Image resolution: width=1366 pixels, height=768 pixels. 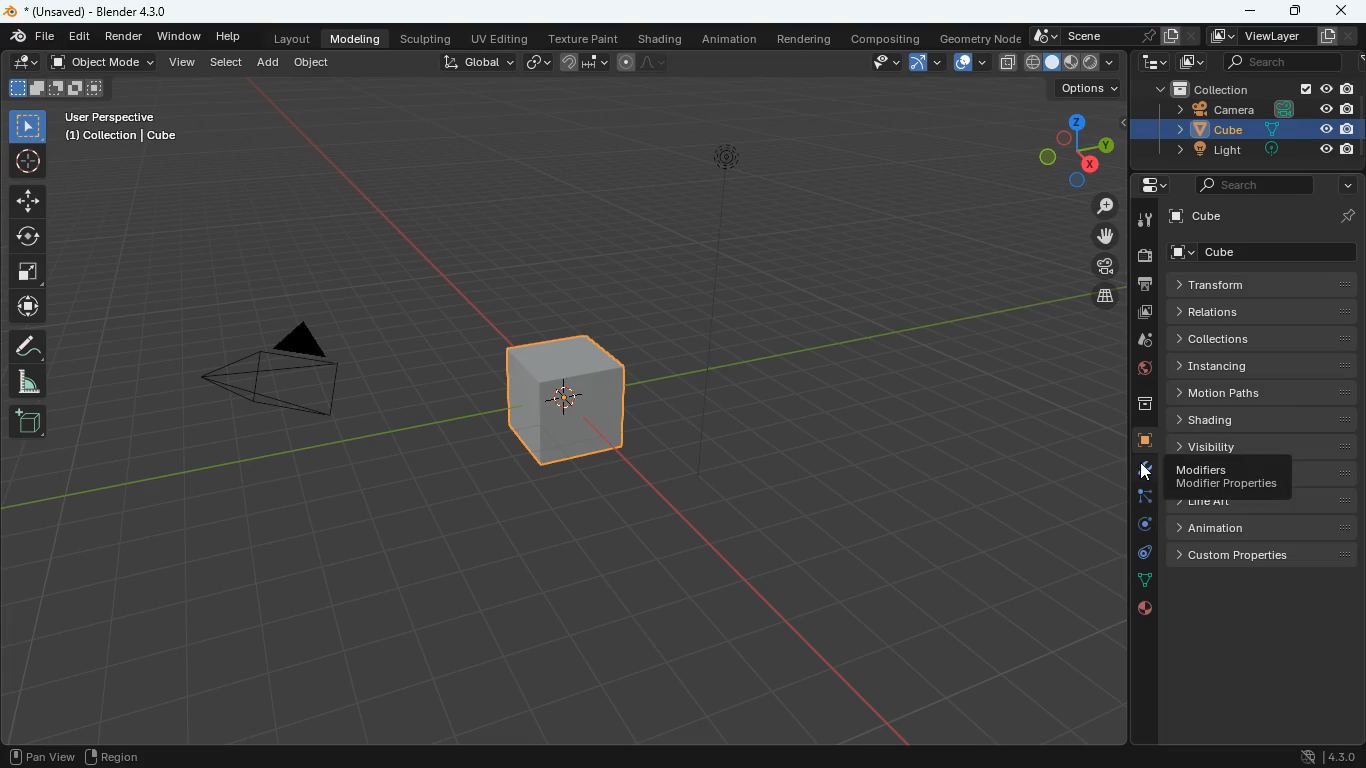 I want to click on window, so click(x=178, y=35).